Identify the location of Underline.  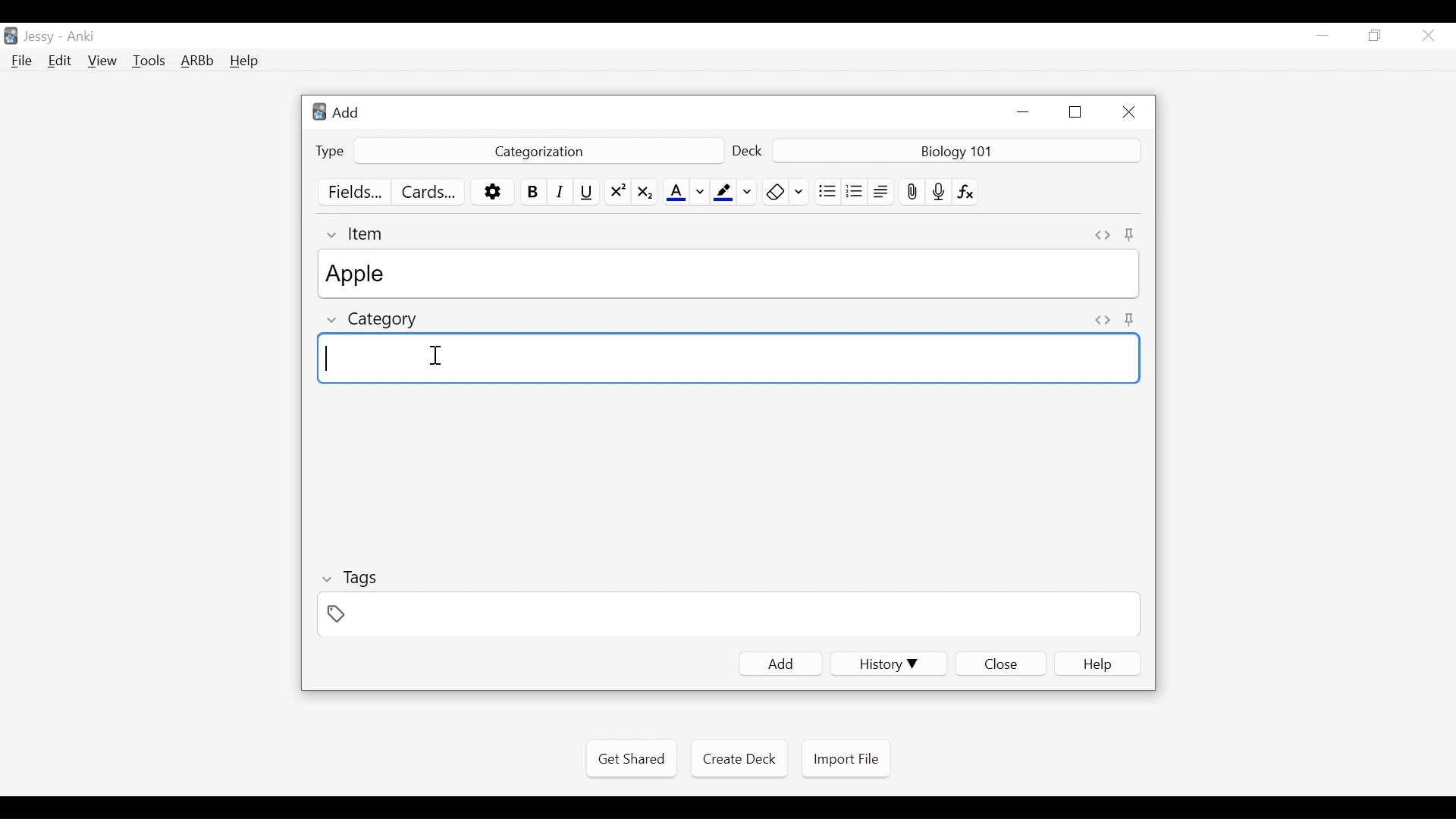
(588, 192).